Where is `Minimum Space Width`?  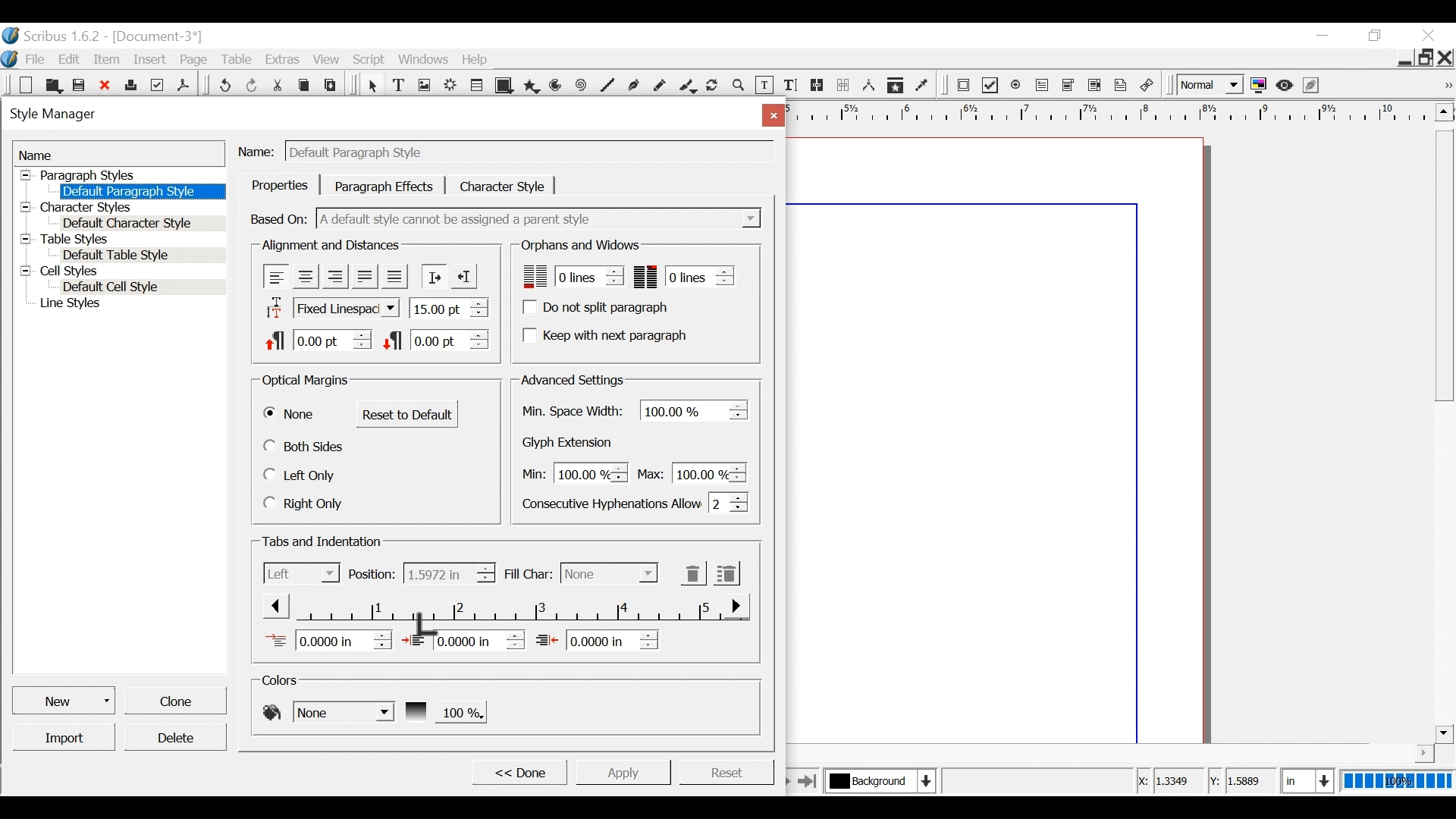
Minimum Space Width is located at coordinates (575, 412).